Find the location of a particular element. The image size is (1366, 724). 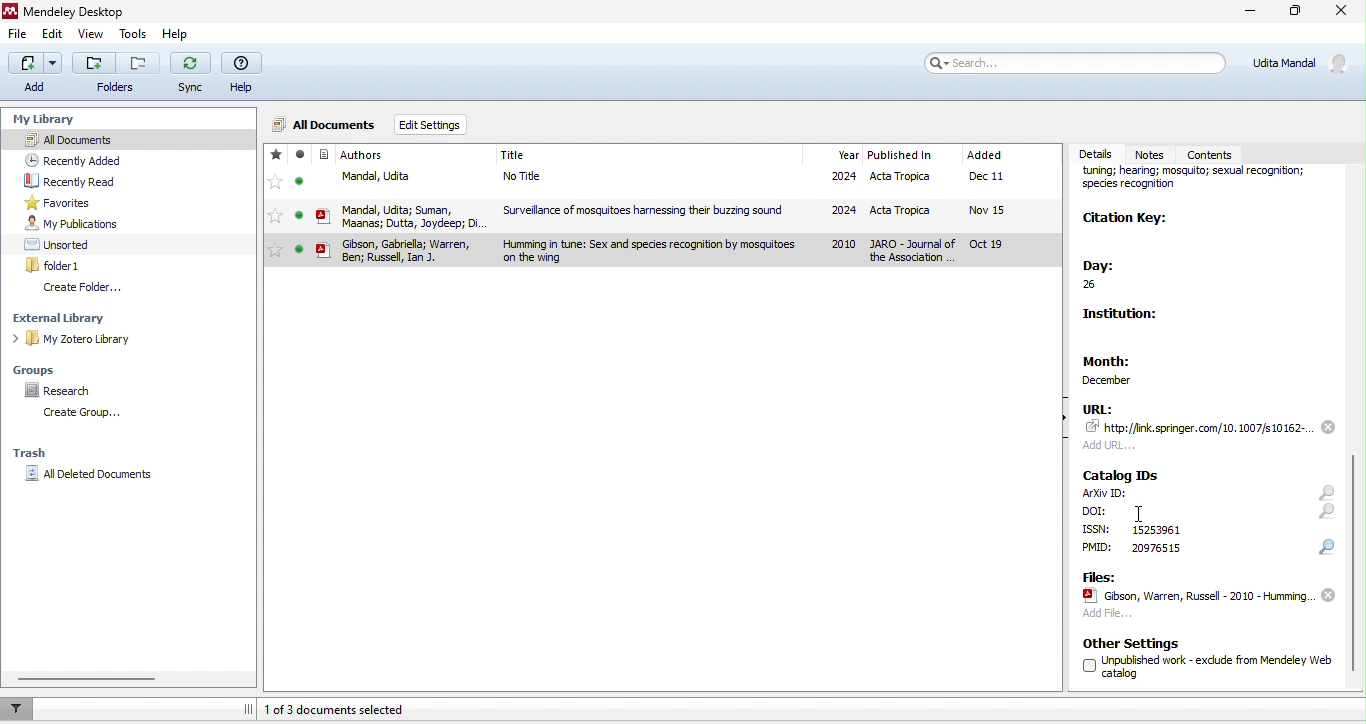

my zotero library is located at coordinates (76, 340).